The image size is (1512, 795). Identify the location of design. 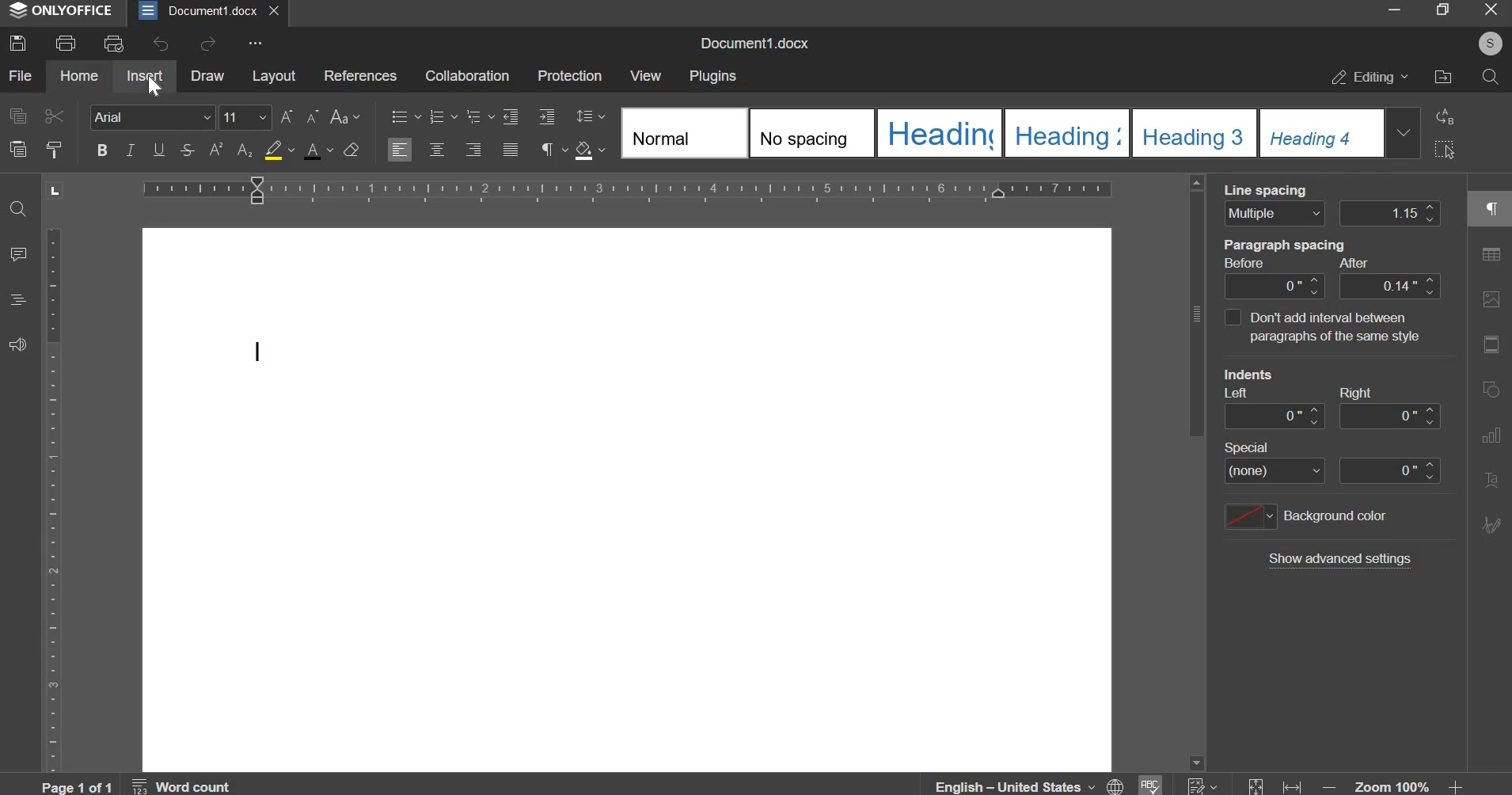
(1020, 131).